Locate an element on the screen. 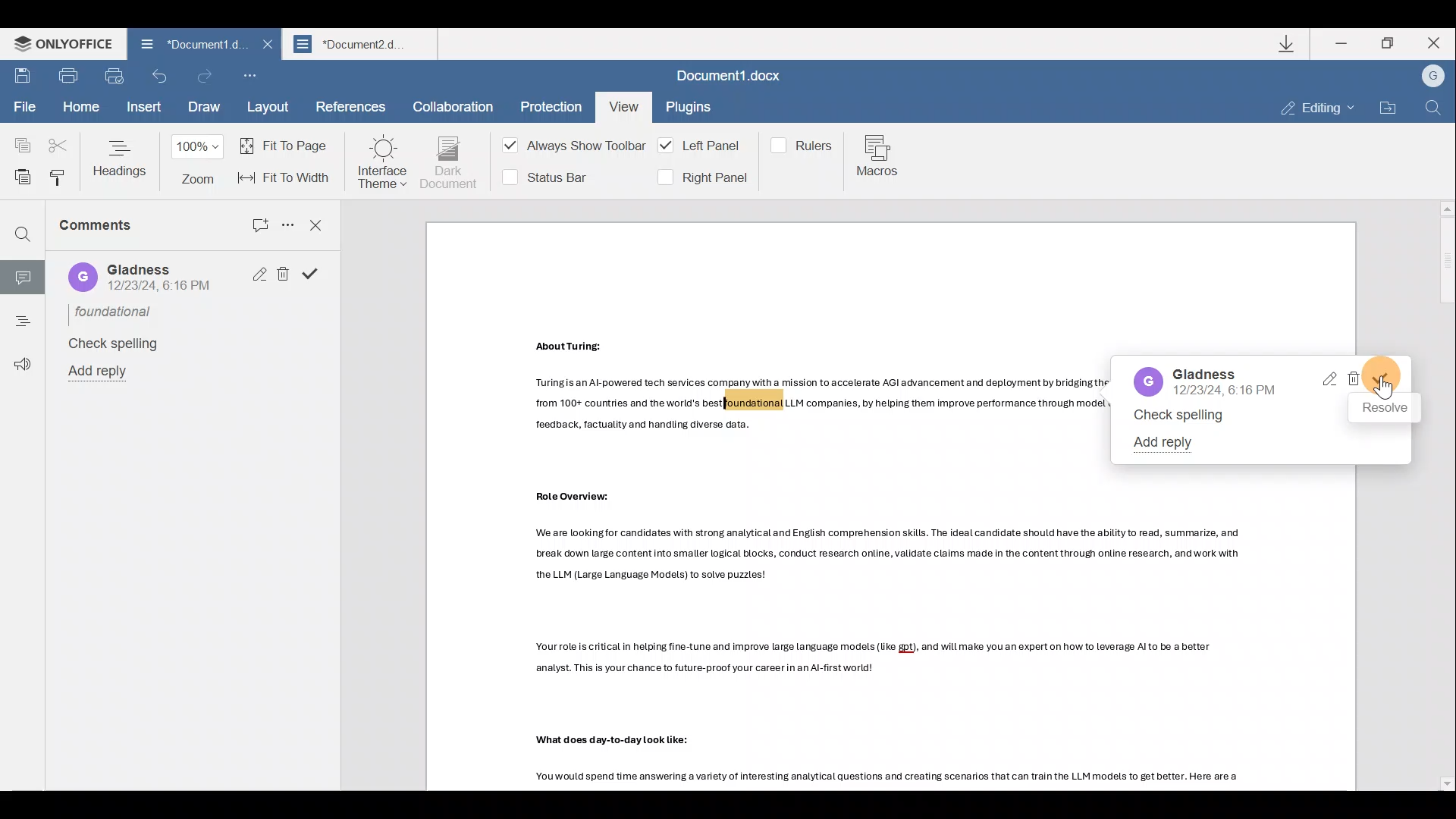  Add reply is located at coordinates (104, 372).